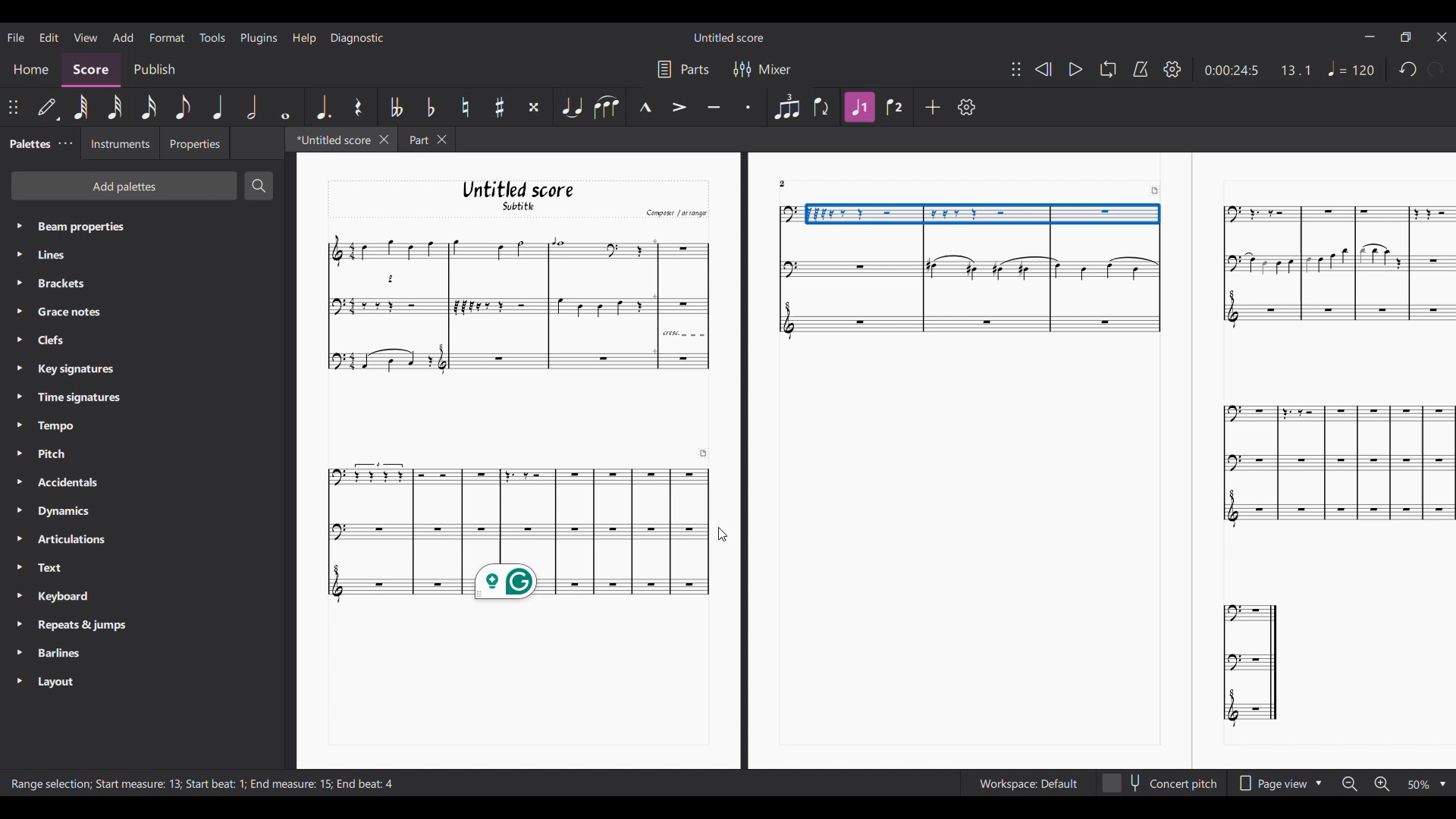 Image resolution: width=1456 pixels, height=819 pixels. What do you see at coordinates (1279, 783) in the screenshot?
I see `Page view ` at bounding box center [1279, 783].